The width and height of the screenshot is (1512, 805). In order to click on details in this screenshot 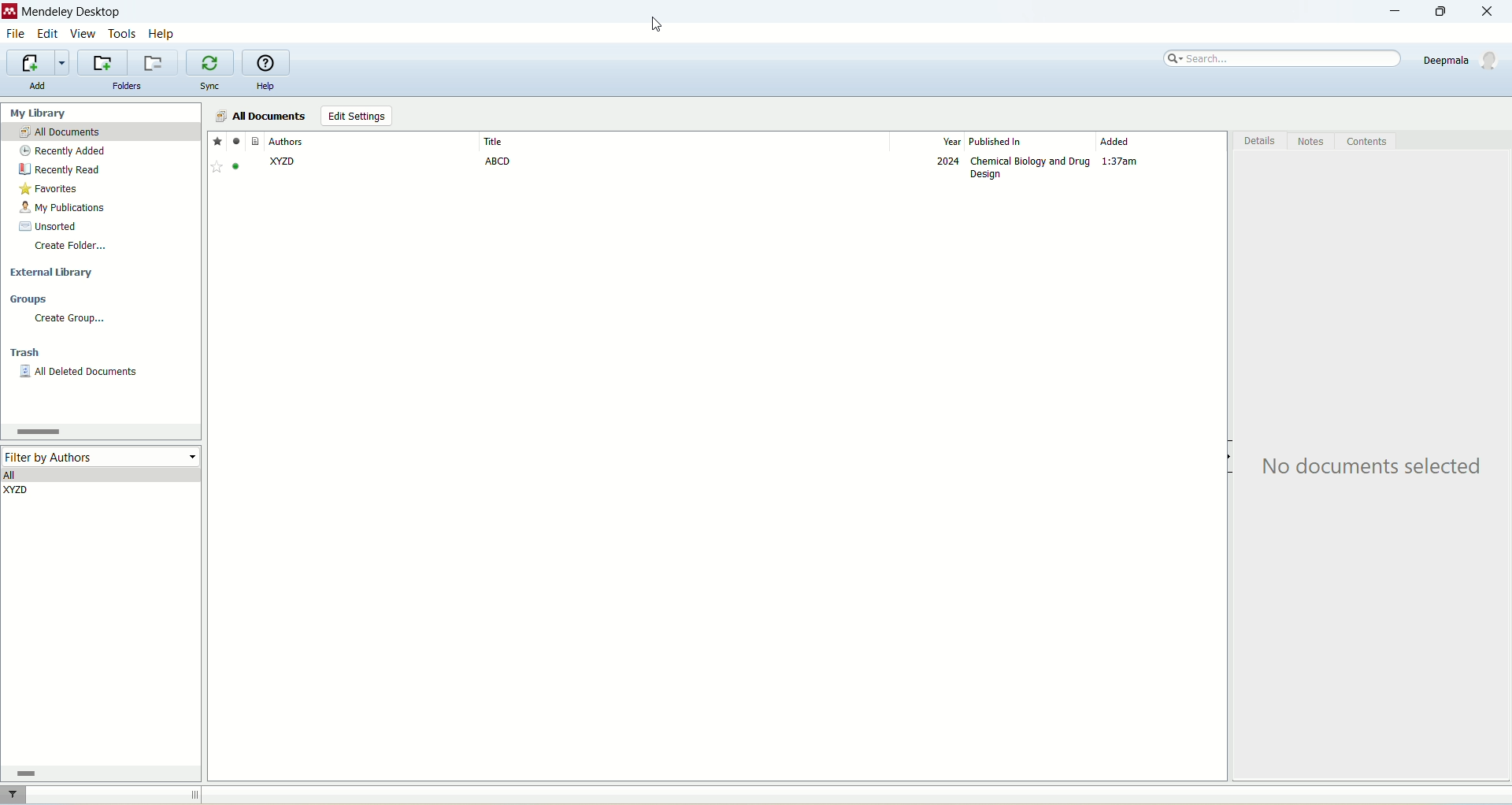, I will do `click(1261, 143)`.